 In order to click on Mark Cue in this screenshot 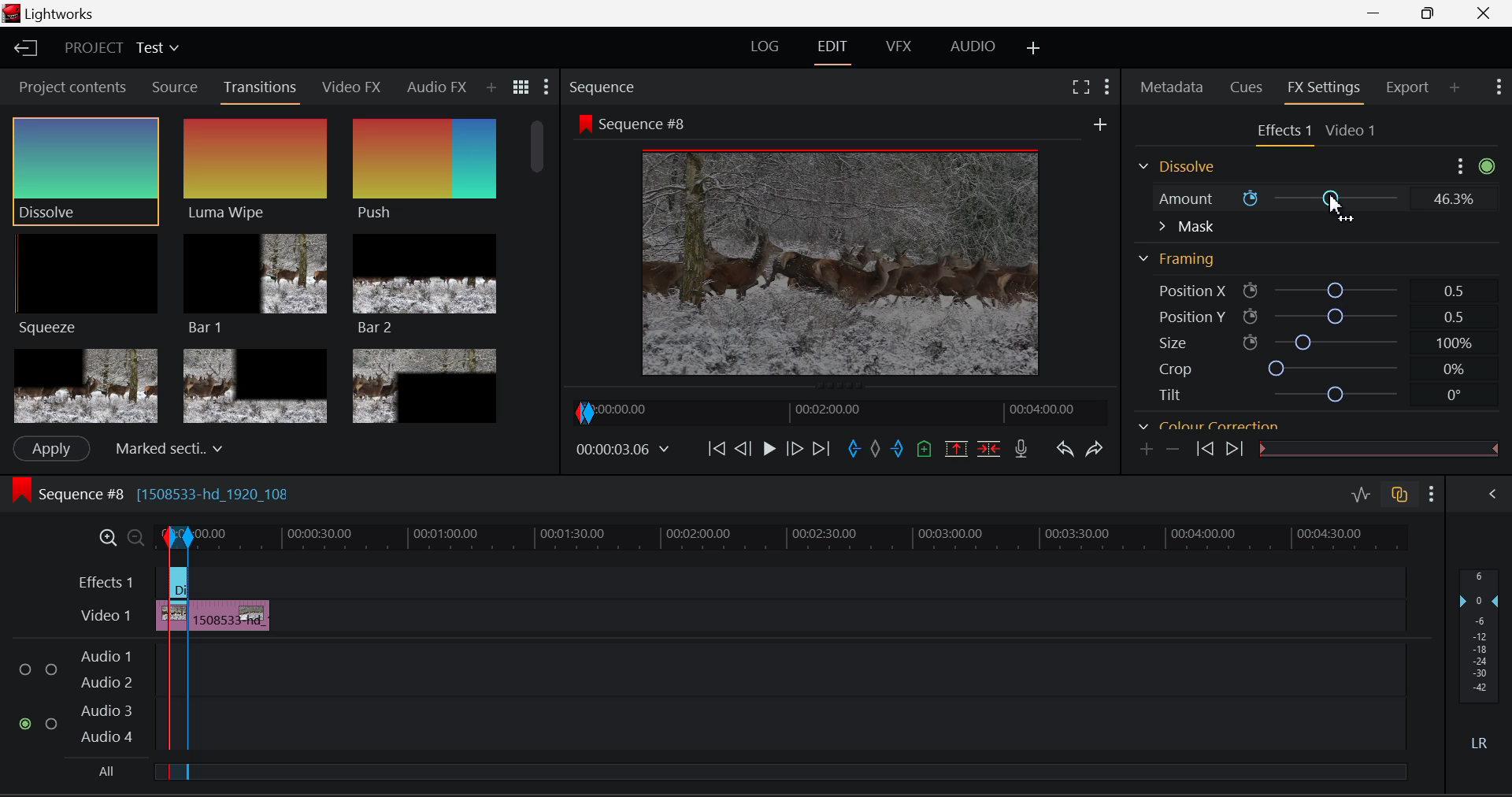, I will do `click(923, 450)`.